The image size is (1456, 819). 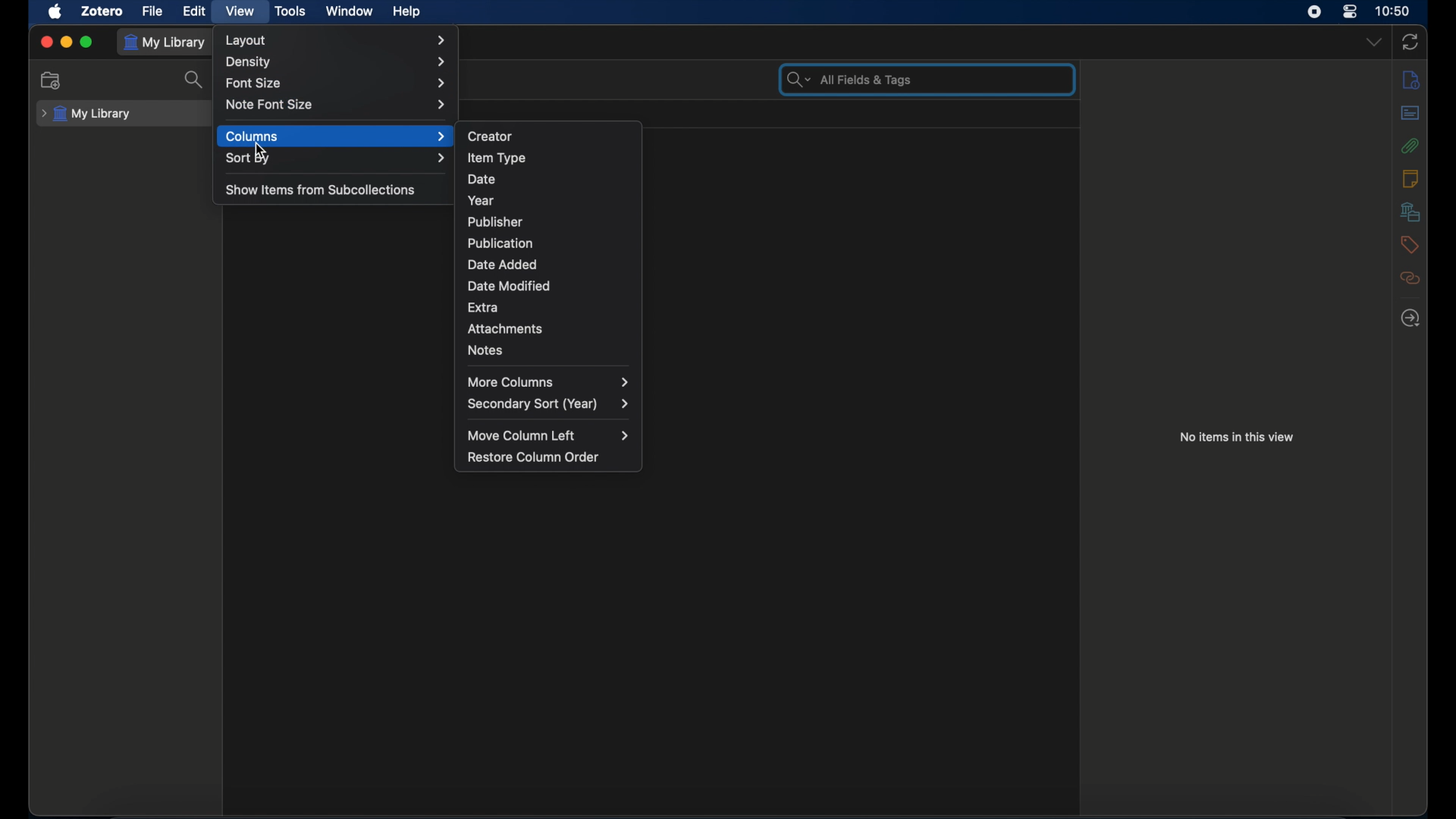 I want to click on locate, so click(x=1411, y=318).